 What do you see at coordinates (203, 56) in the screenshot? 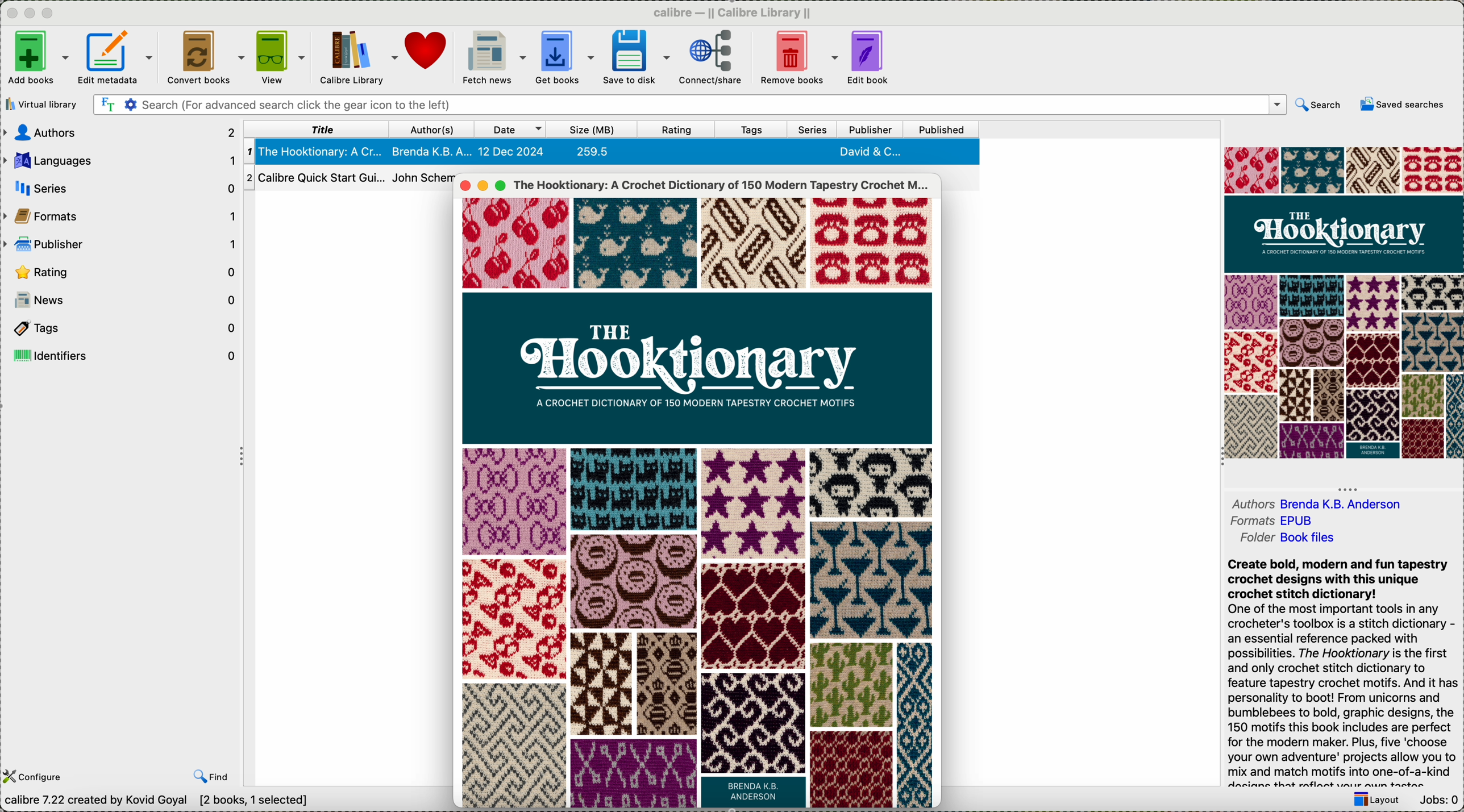
I see `convert books` at bounding box center [203, 56].